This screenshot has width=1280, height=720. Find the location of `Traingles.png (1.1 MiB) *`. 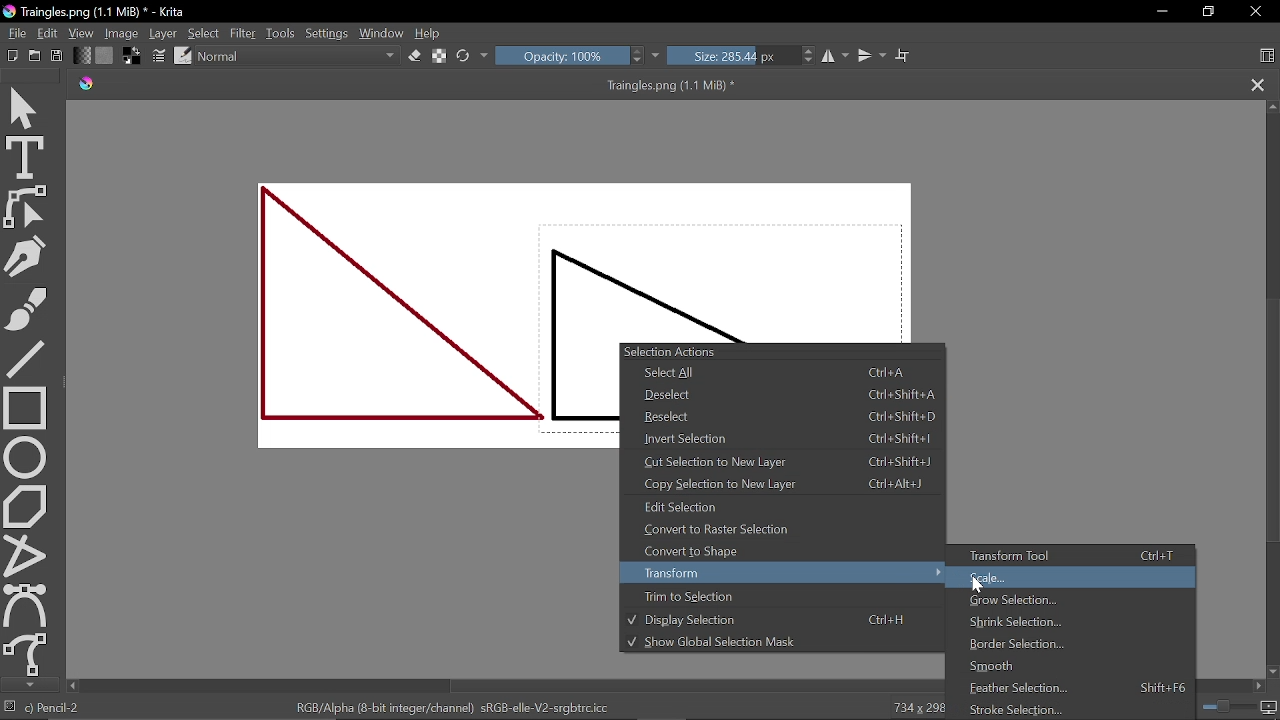

Traingles.png (1.1 MiB) * is located at coordinates (433, 85).